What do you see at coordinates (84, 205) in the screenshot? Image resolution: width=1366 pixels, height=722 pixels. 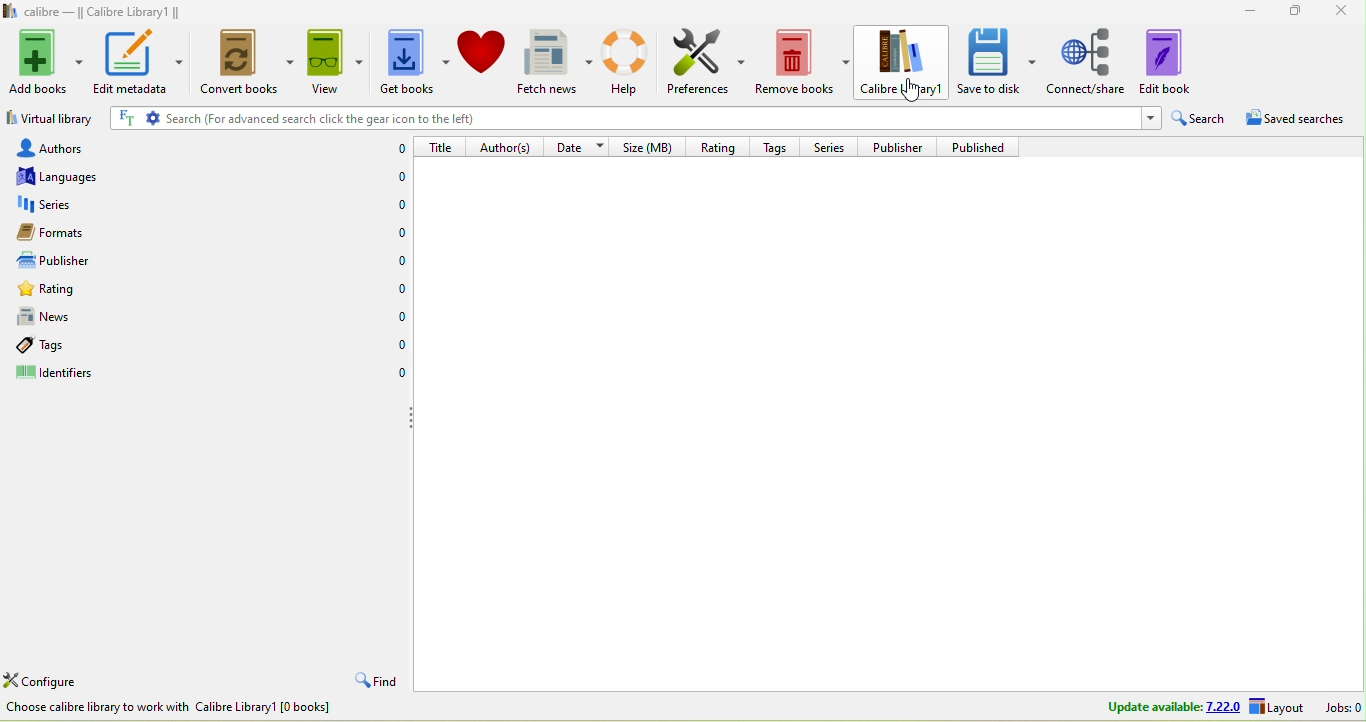 I see `series` at bounding box center [84, 205].